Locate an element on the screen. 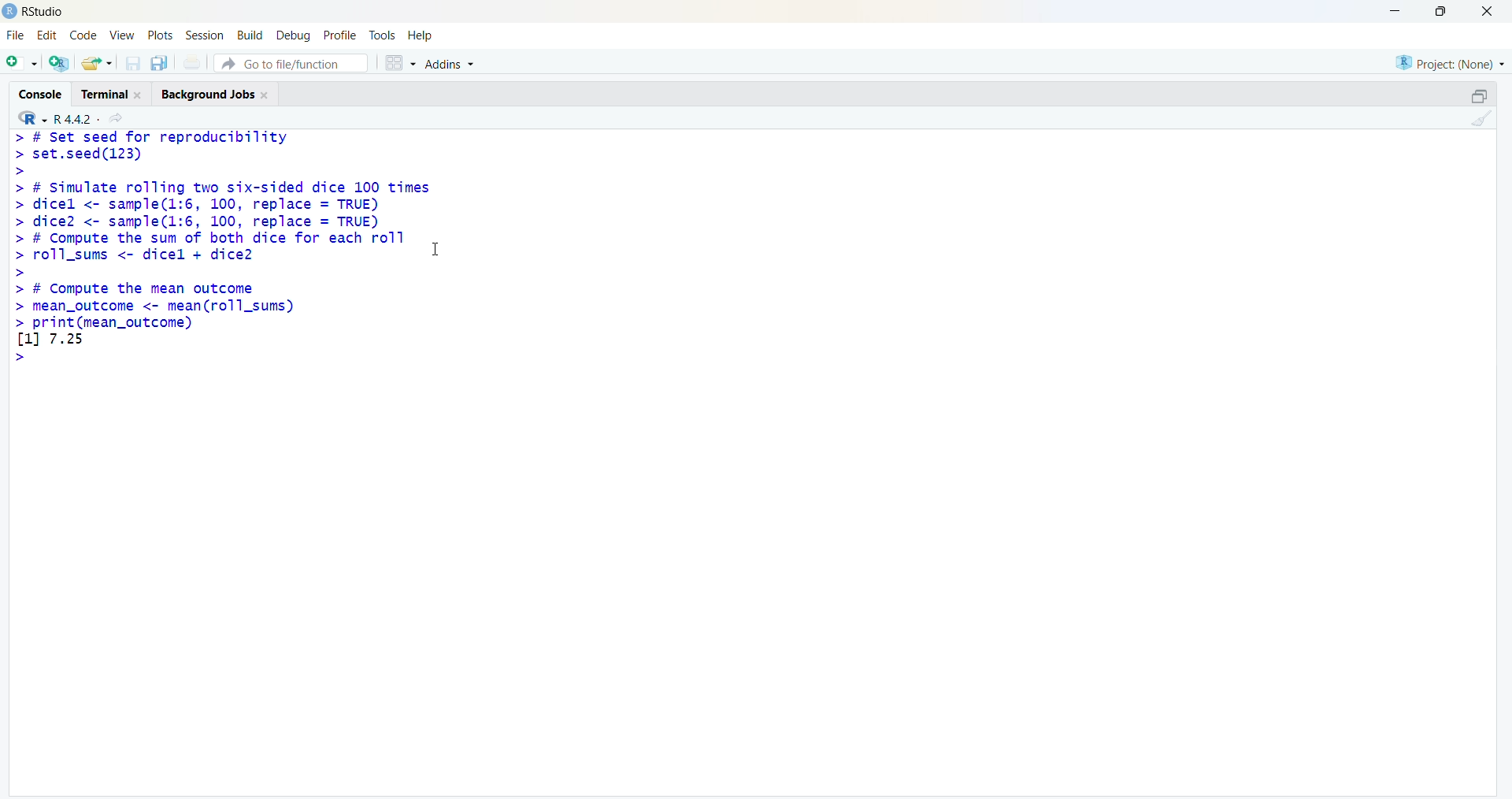 This screenshot has height=799, width=1512. print is located at coordinates (192, 62).